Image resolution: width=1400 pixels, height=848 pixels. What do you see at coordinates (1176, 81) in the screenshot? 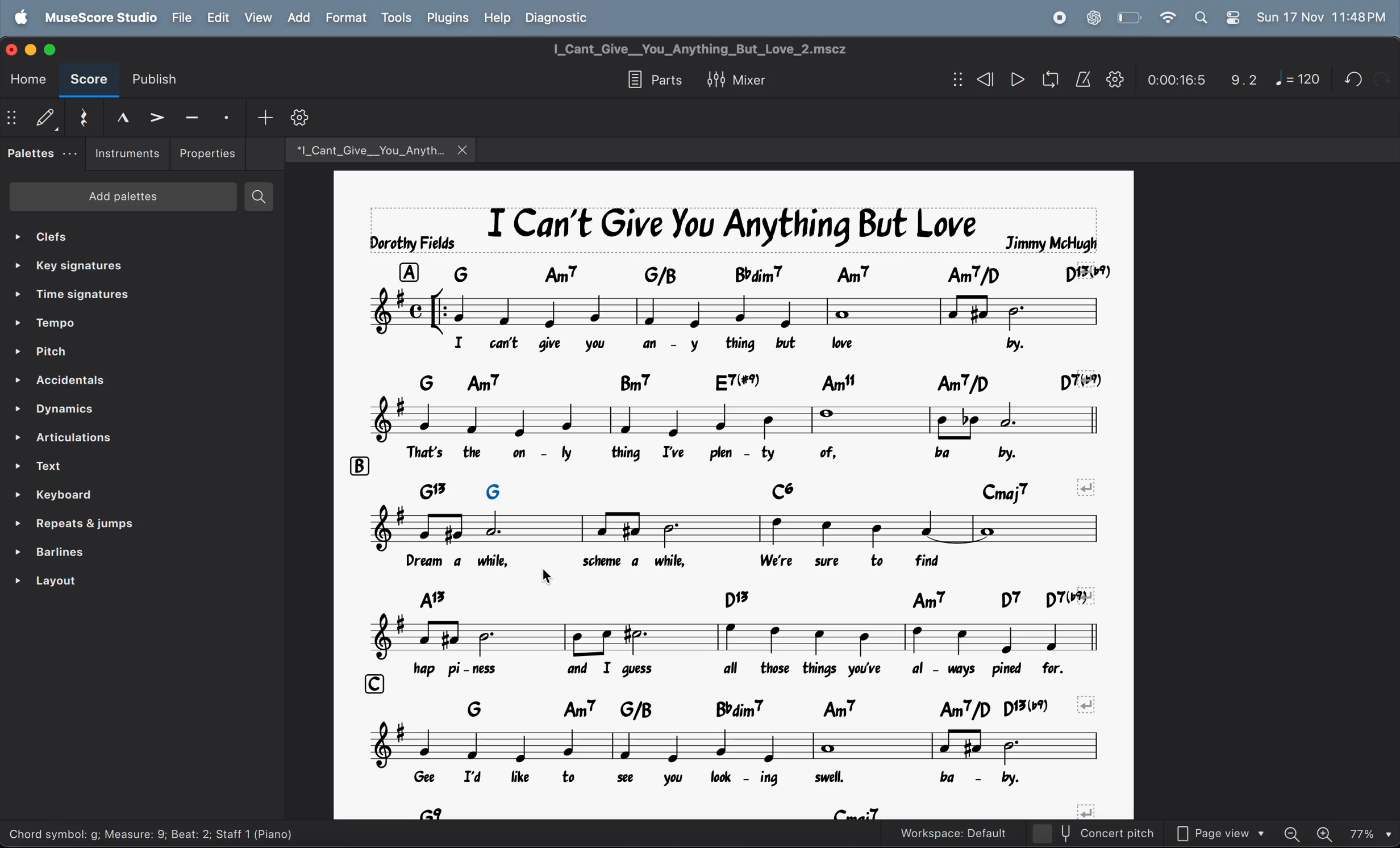
I see `0.00.24.0` at bounding box center [1176, 81].